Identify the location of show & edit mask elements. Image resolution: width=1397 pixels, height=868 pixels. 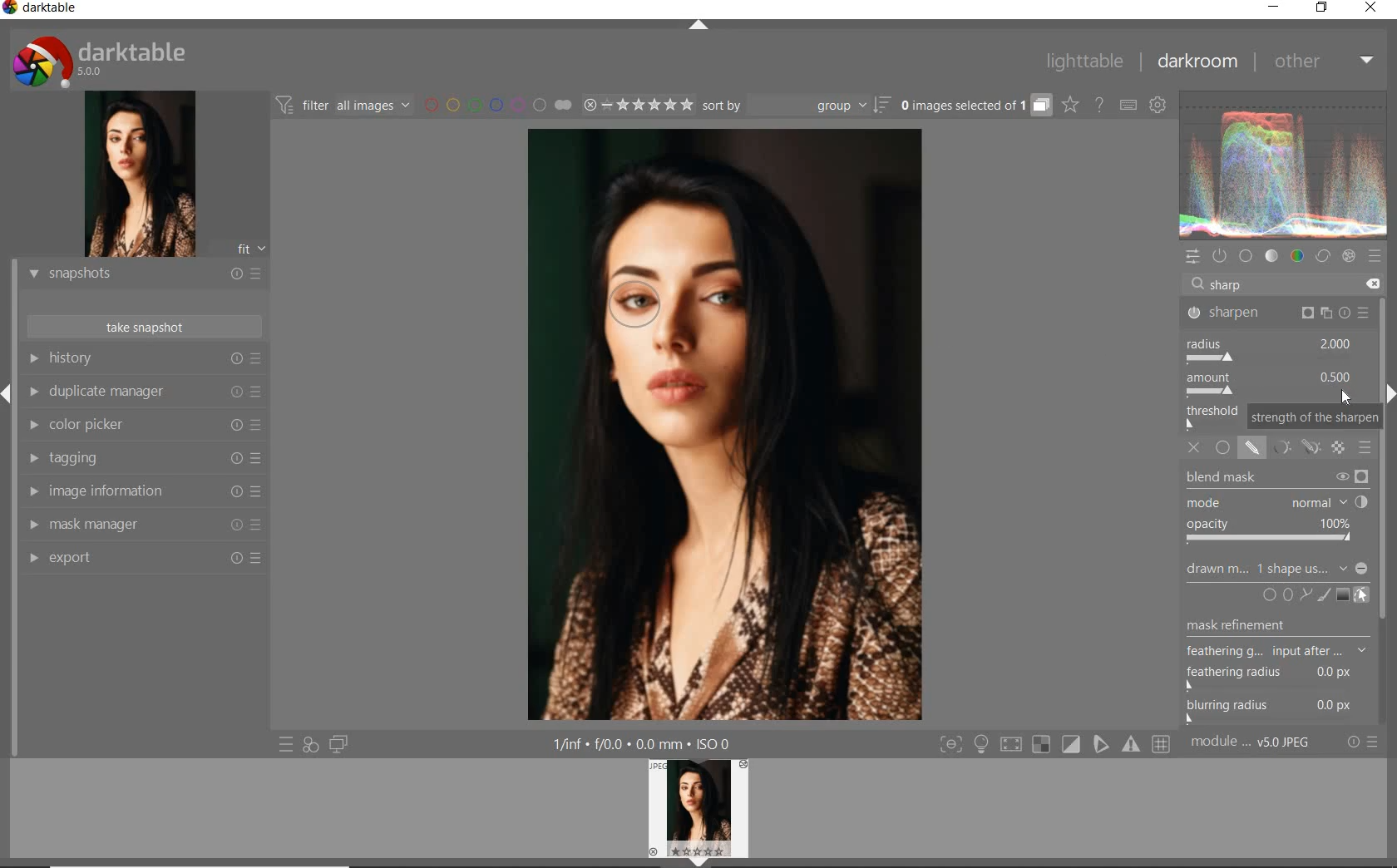
(1362, 595).